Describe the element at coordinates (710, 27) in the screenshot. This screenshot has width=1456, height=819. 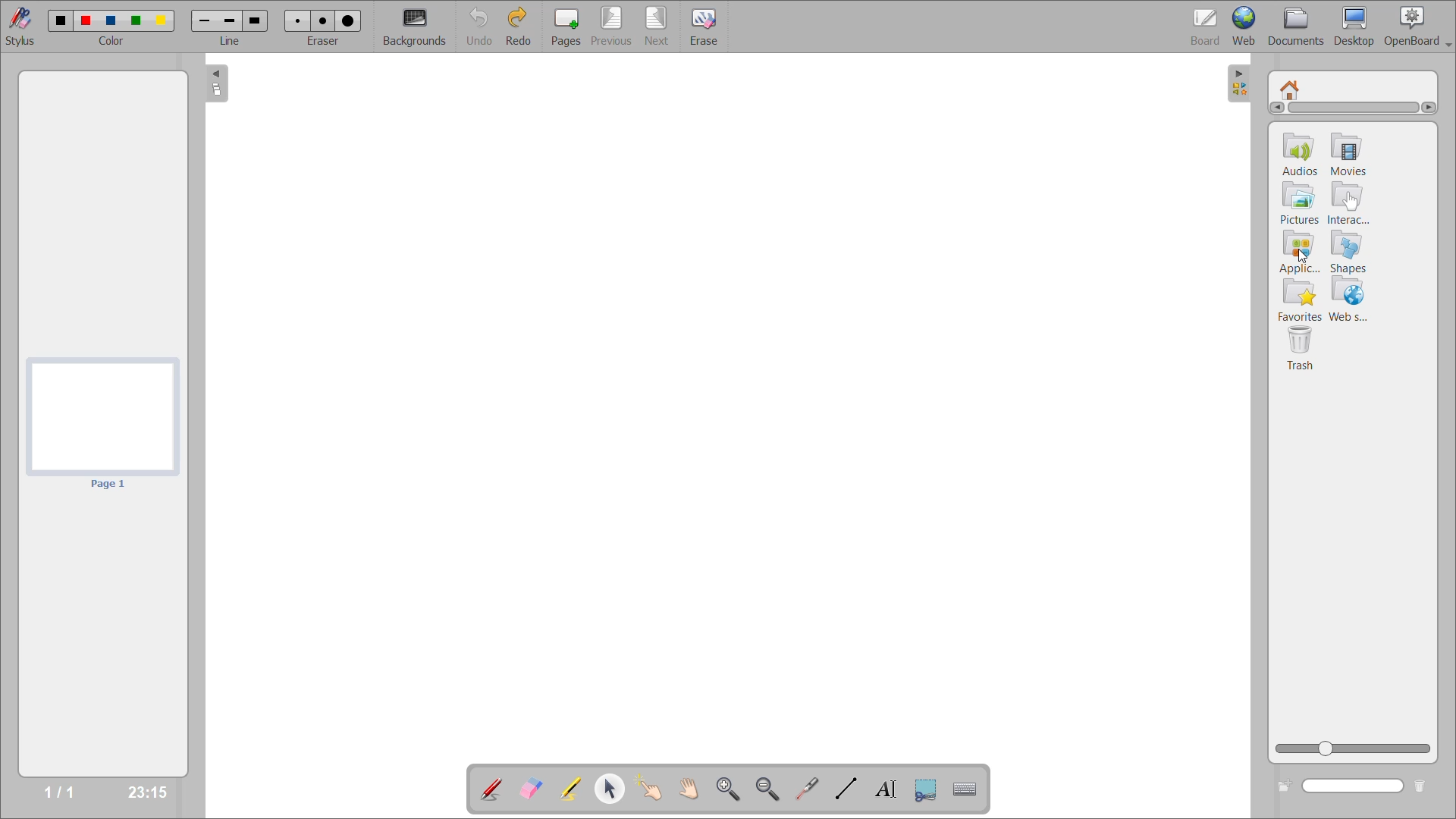
I see `erase` at that location.